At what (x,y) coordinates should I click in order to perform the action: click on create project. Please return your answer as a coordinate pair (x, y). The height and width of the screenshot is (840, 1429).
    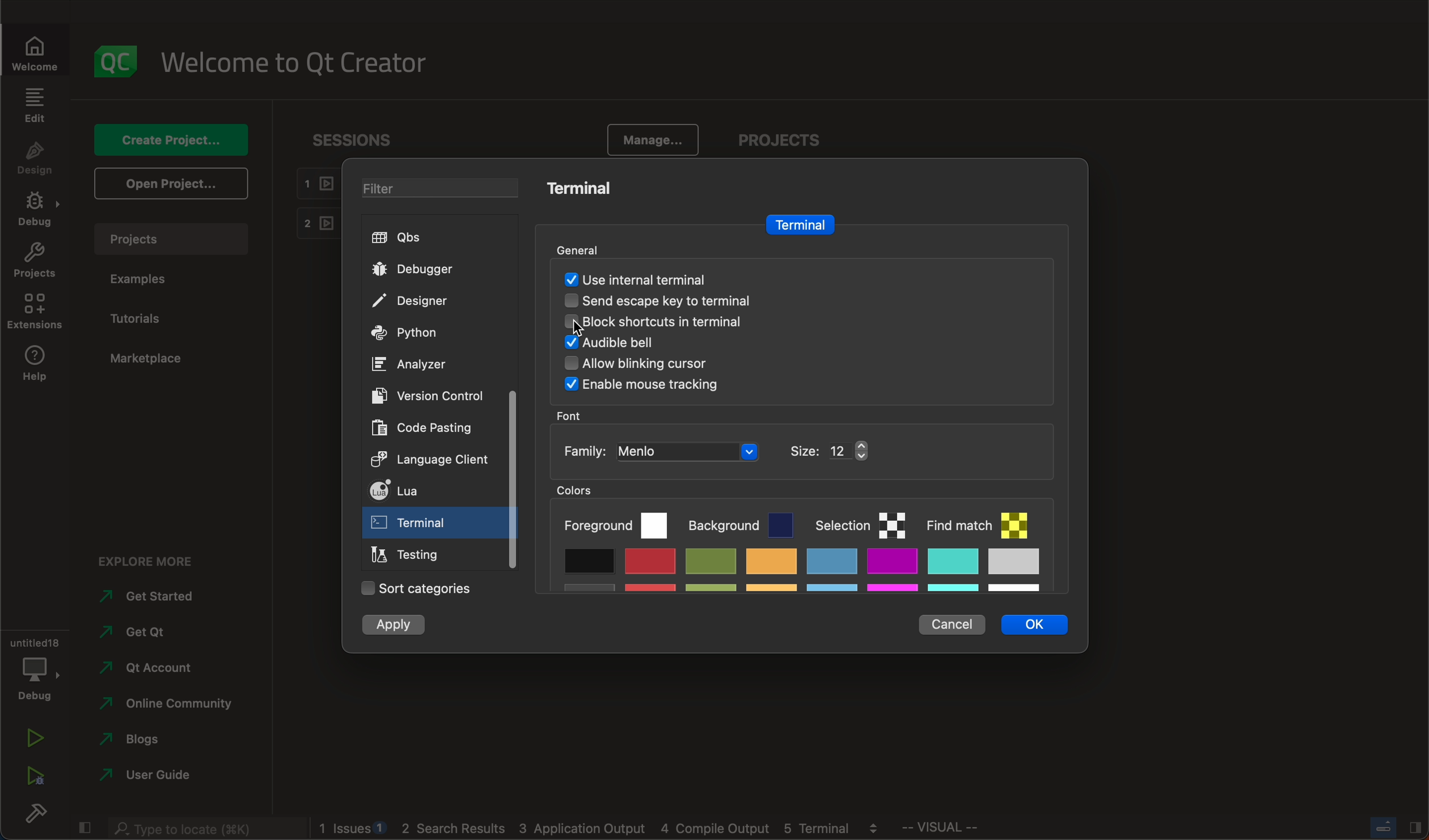
    Looking at the image, I should click on (171, 138).